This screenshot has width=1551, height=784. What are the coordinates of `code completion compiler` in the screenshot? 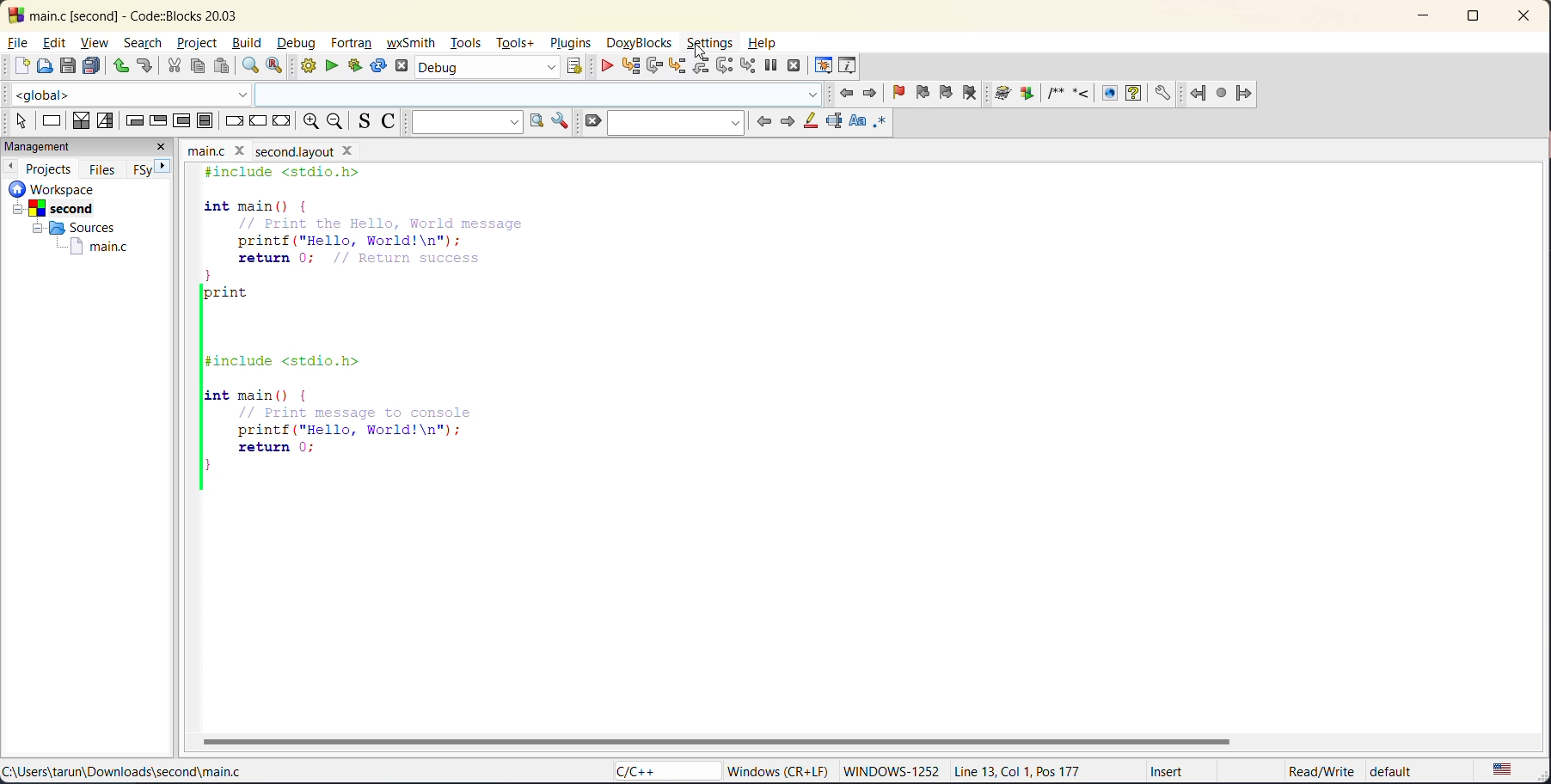 It's located at (417, 95).